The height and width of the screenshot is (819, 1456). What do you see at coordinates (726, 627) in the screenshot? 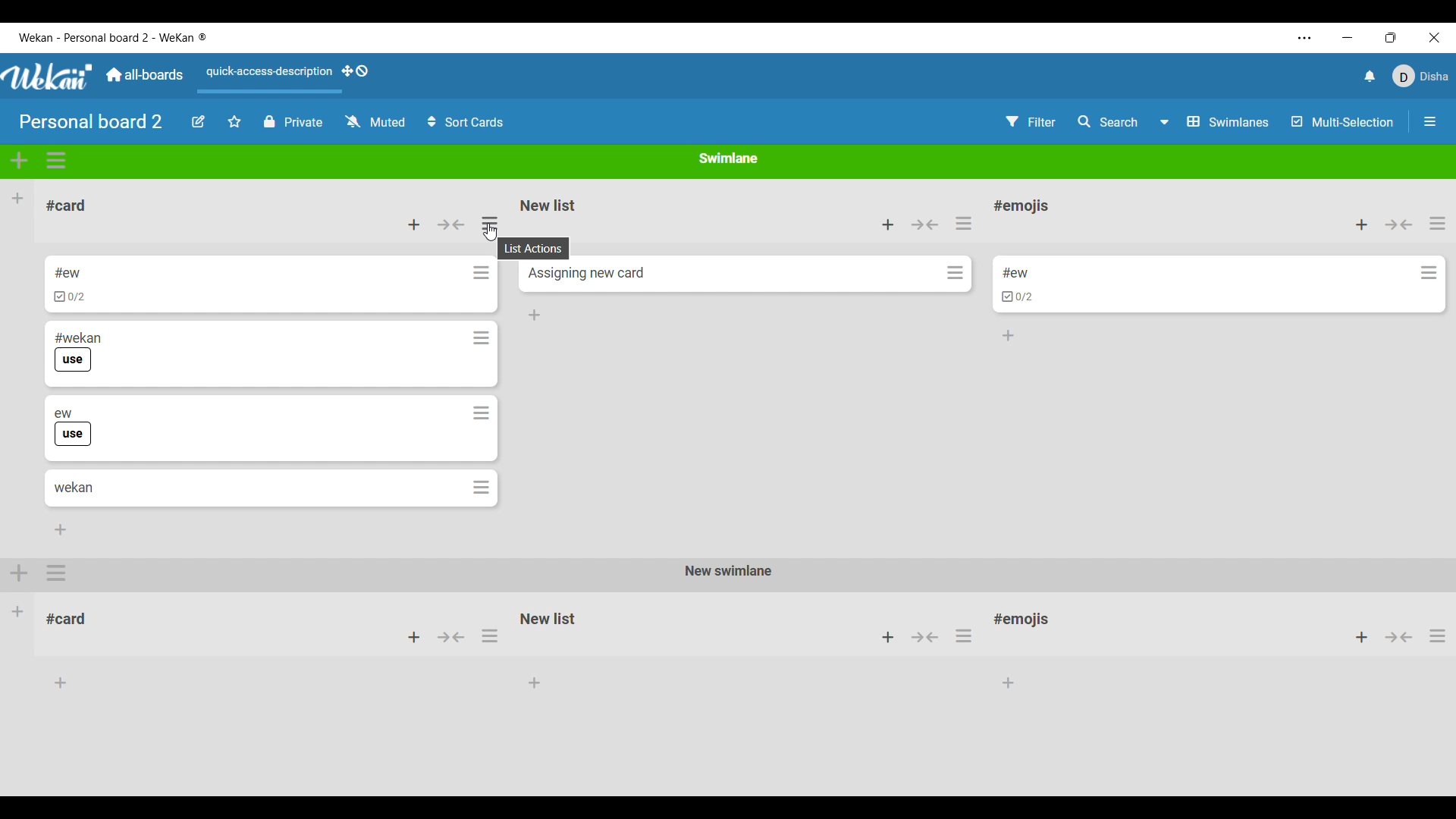
I see `Other Swimlane with its respective lists` at bounding box center [726, 627].